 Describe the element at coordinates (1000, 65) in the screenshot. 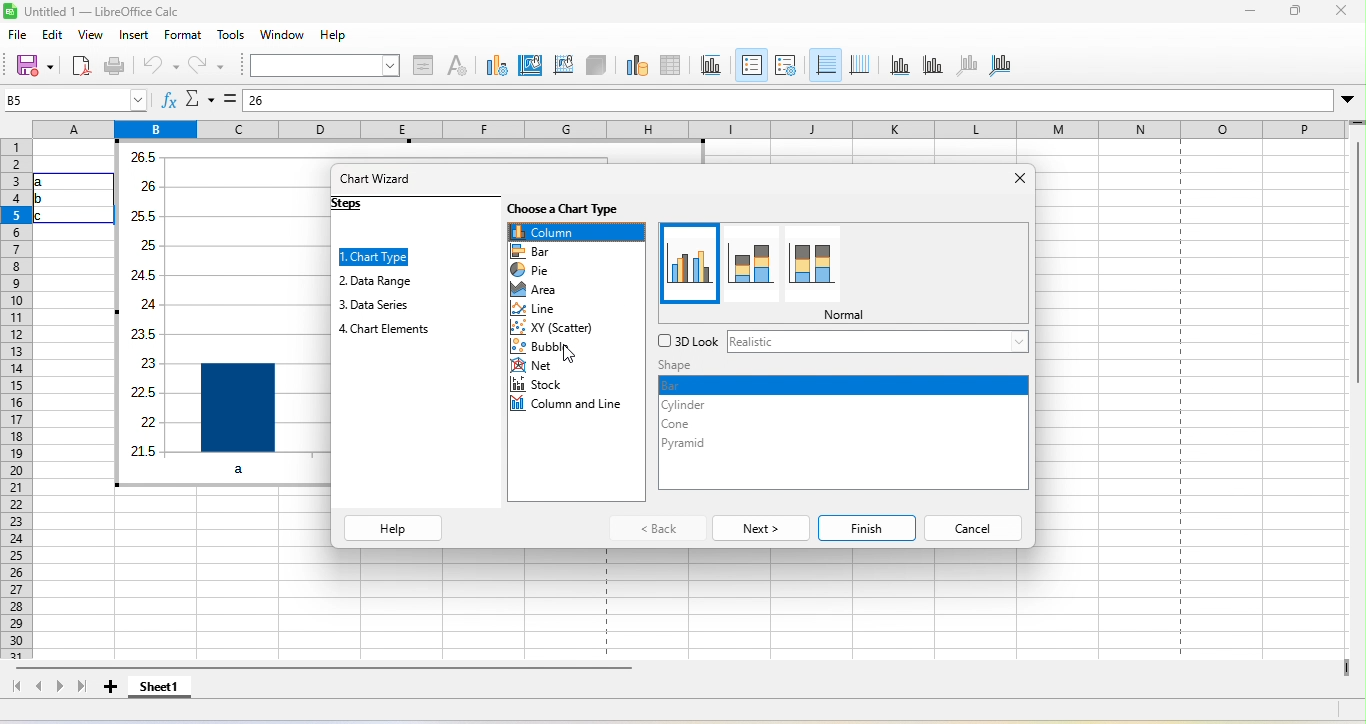

I see `All axes` at that location.